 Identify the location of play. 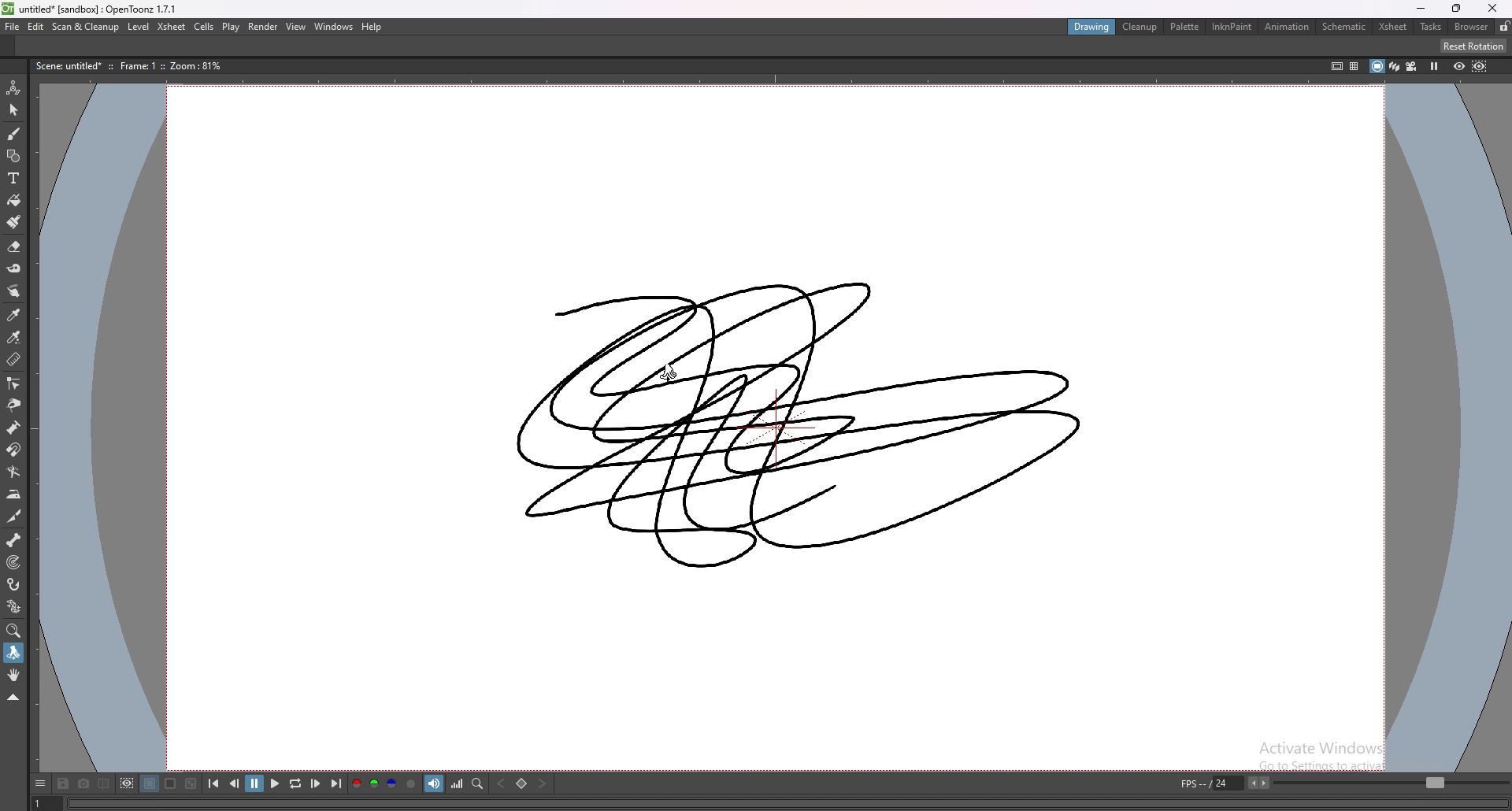
(275, 783).